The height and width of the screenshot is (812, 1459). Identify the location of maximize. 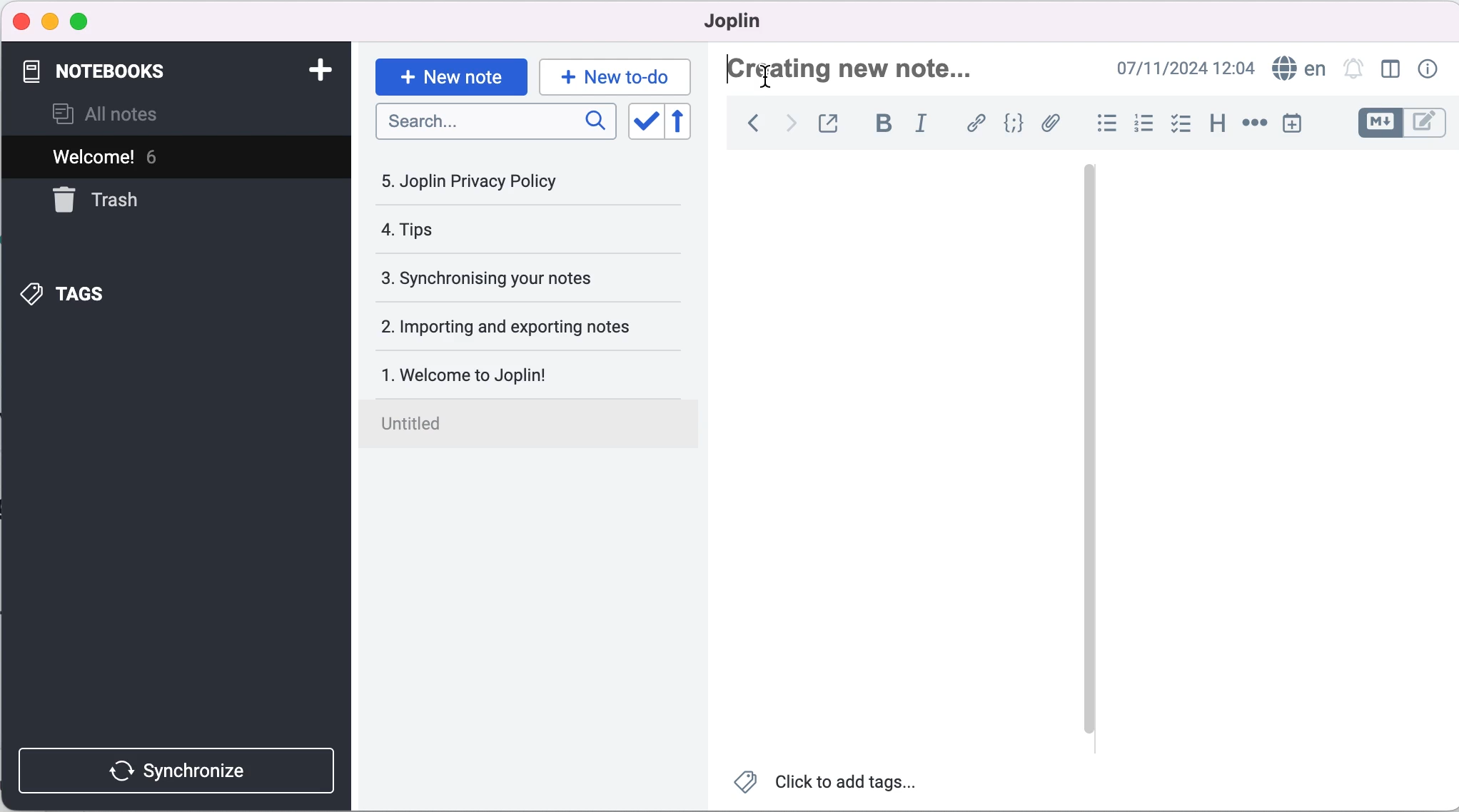
(88, 21).